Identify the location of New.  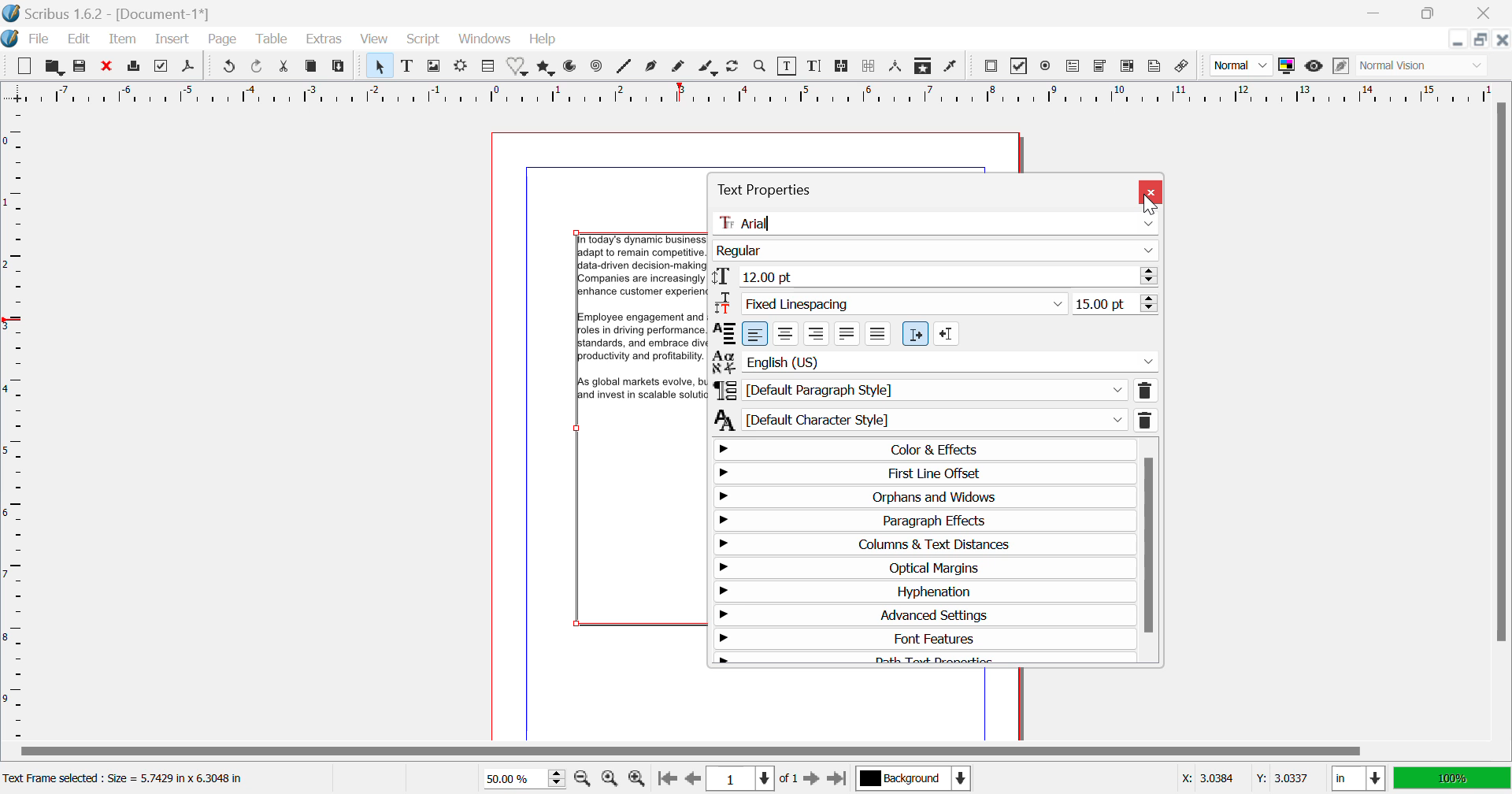
(24, 63).